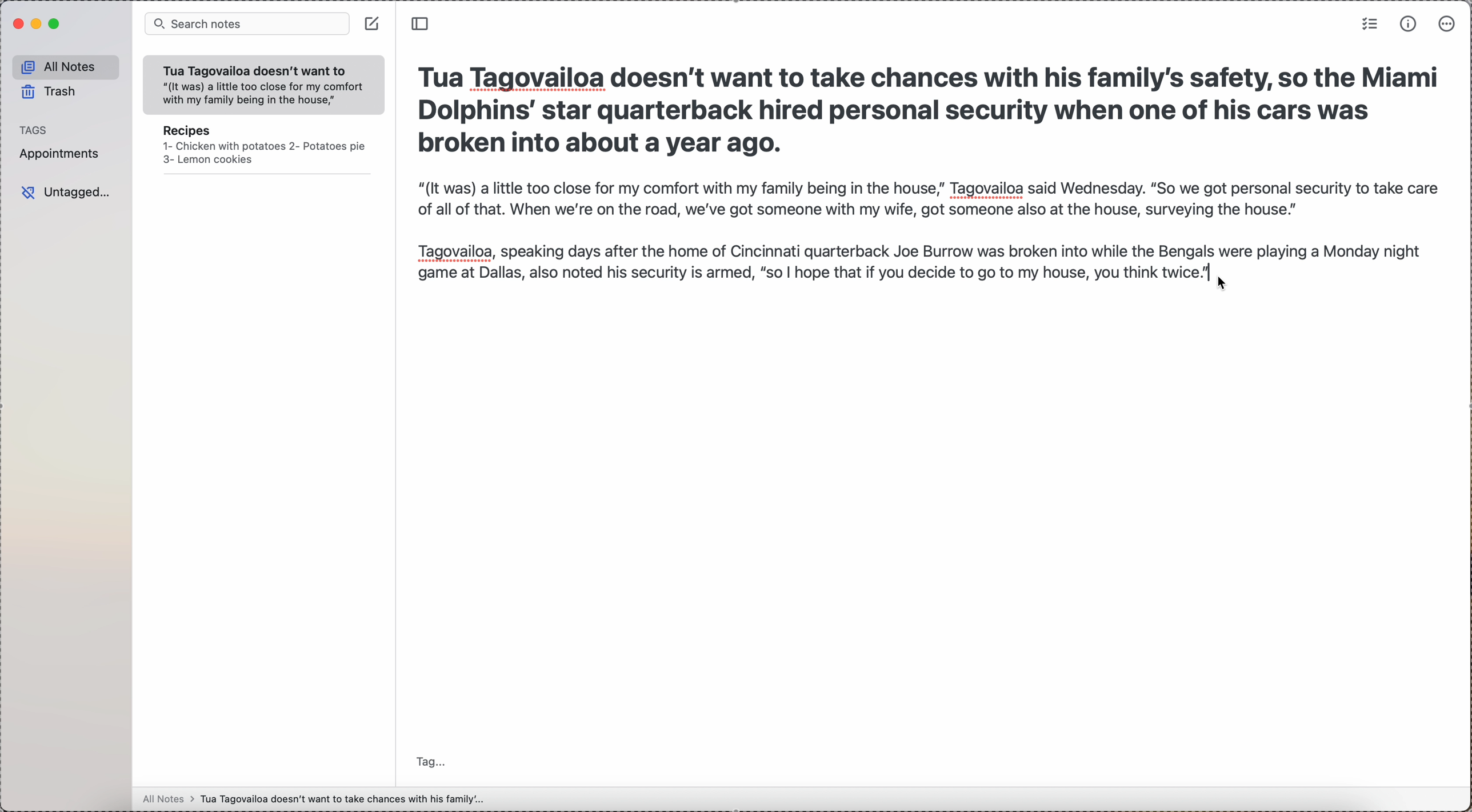 Image resolution: width=1472 pixels, height=812 pixels. Describe the element at coordinates (1409, 23) in the screenshot. I see `metrics` at that location.